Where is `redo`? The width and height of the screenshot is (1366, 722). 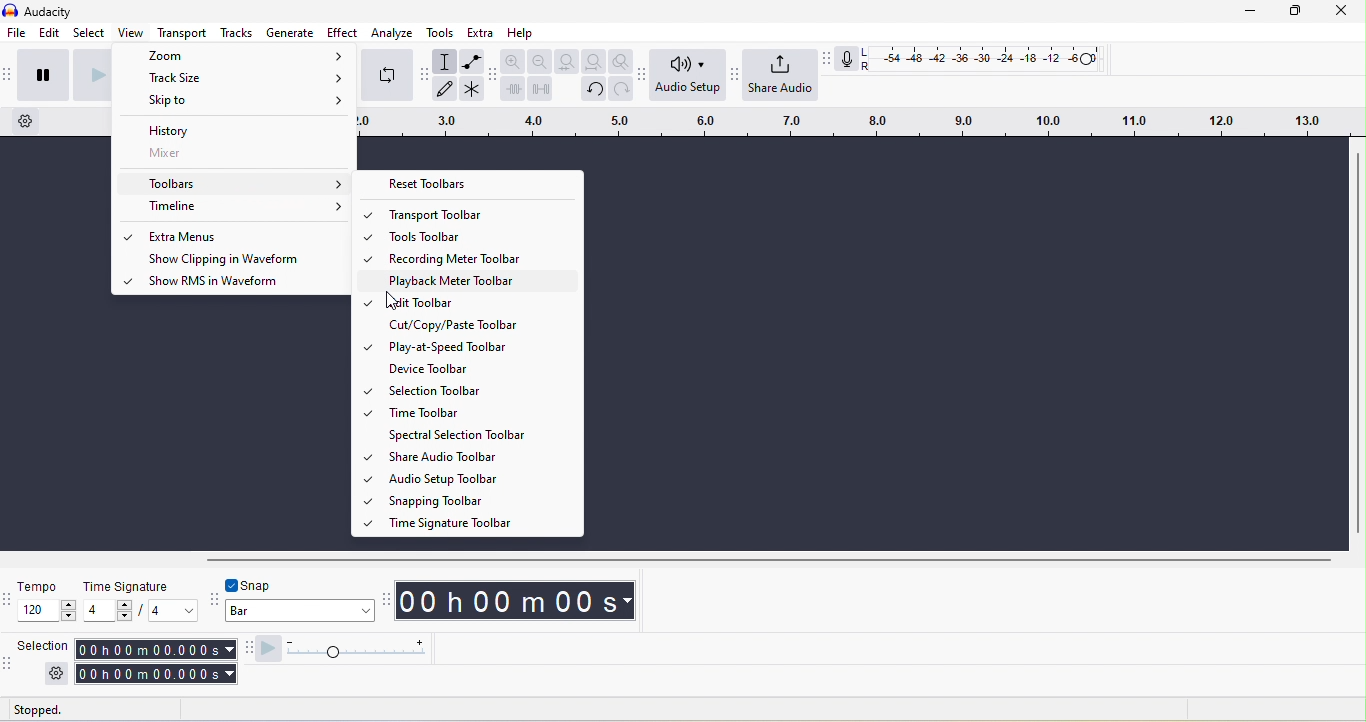
redo is located at coordinates (621, 89).